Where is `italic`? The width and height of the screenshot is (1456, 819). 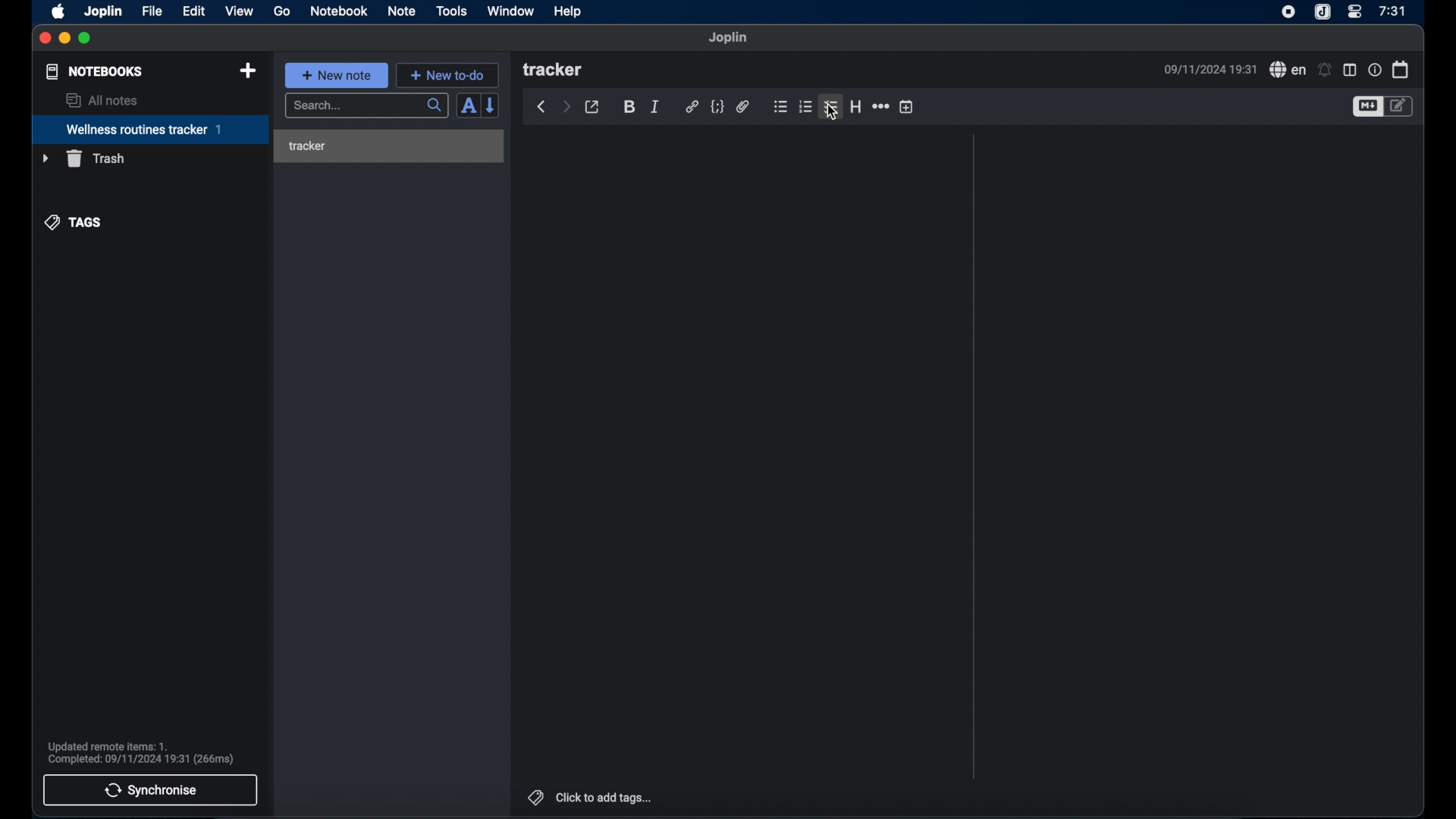
italic is located at coordinates (655, 107).